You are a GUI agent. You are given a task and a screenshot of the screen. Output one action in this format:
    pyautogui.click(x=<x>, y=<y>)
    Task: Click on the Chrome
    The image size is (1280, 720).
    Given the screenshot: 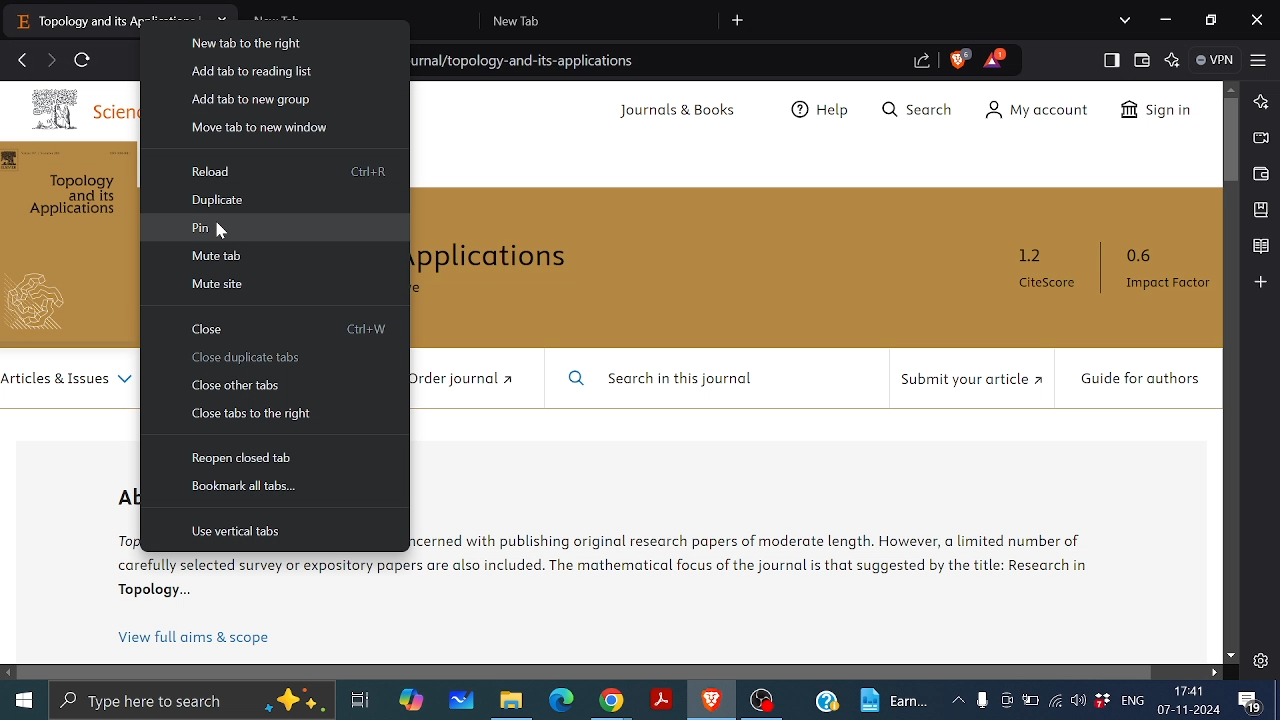 What is the action you would take?
    pyautogui.click(x=611, y=702)
    